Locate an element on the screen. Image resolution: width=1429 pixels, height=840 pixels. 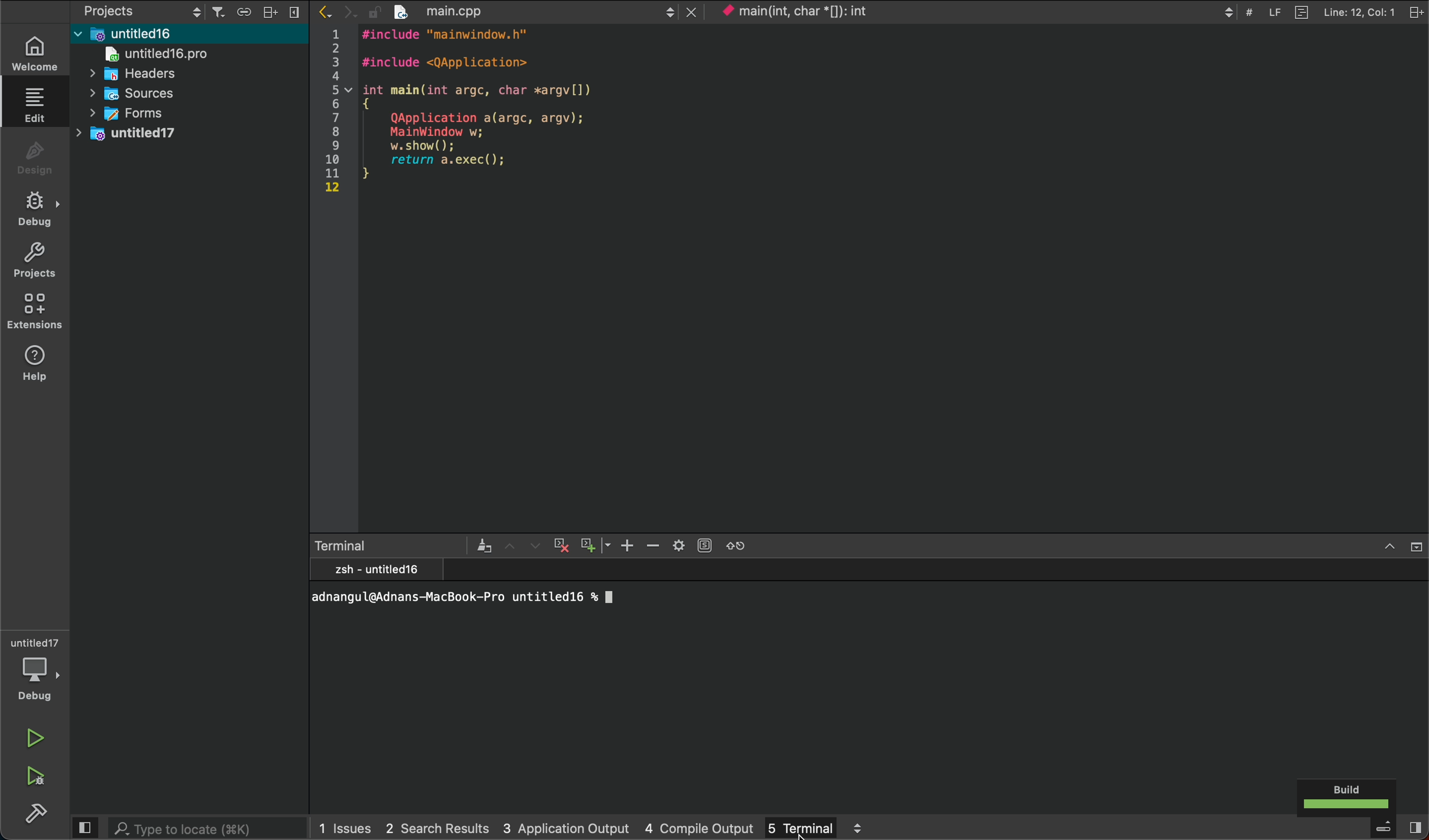
build is located at coordinates (31, 820).